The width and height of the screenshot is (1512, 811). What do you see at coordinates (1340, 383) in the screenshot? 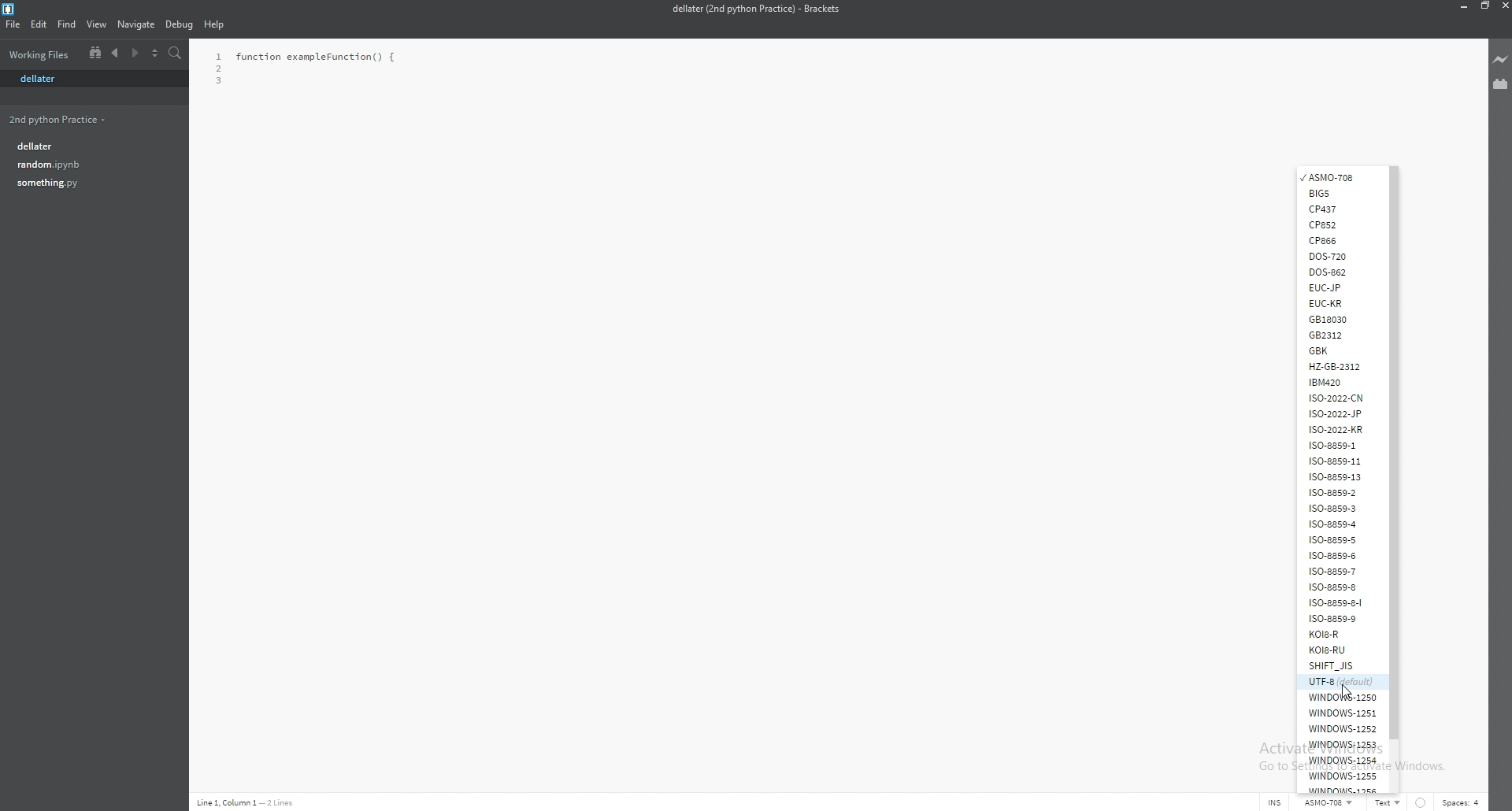
I see `ibm420` at bounding box center [1340, 383].